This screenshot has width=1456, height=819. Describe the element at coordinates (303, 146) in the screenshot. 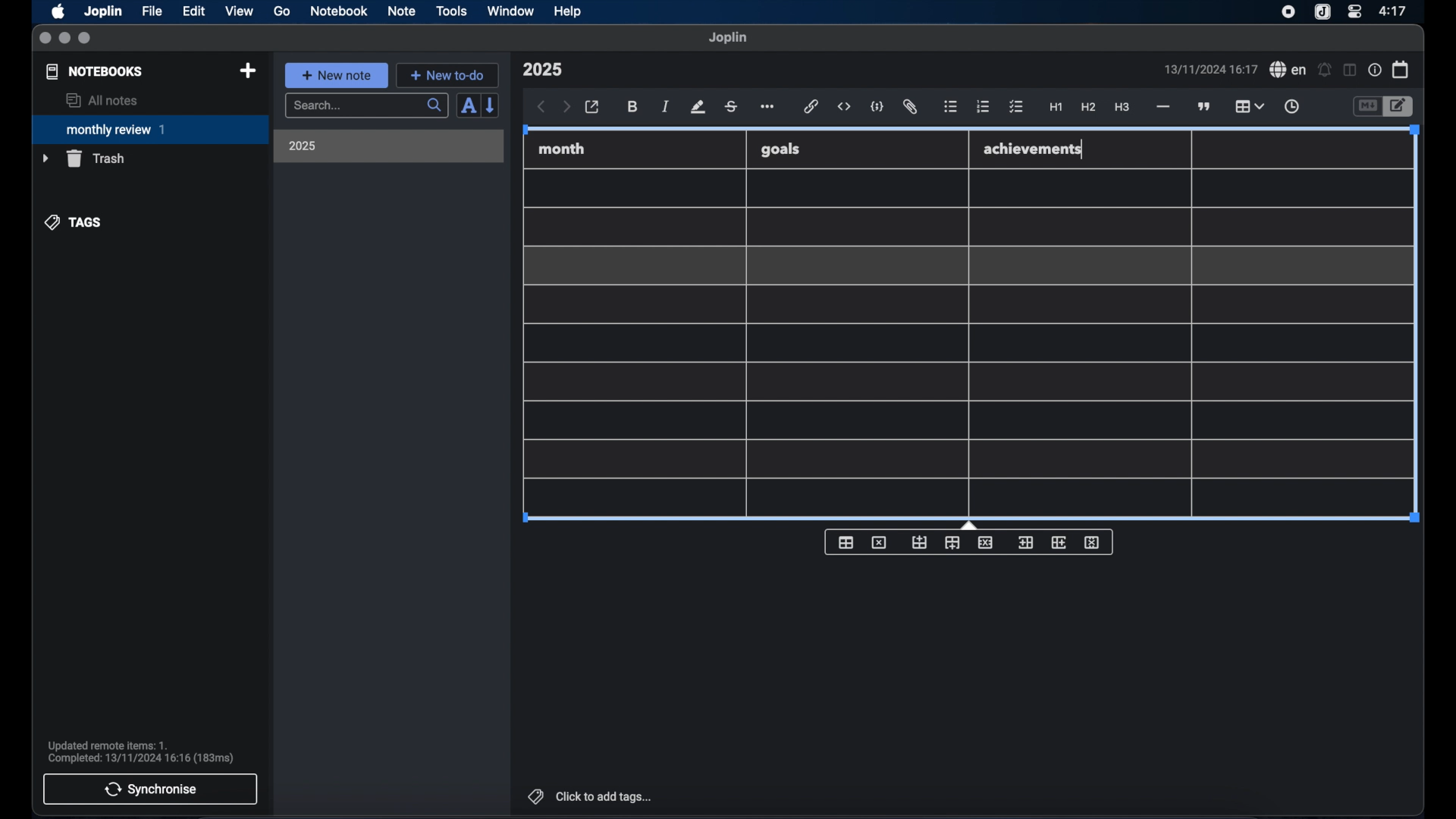

I see `2025` at that location.